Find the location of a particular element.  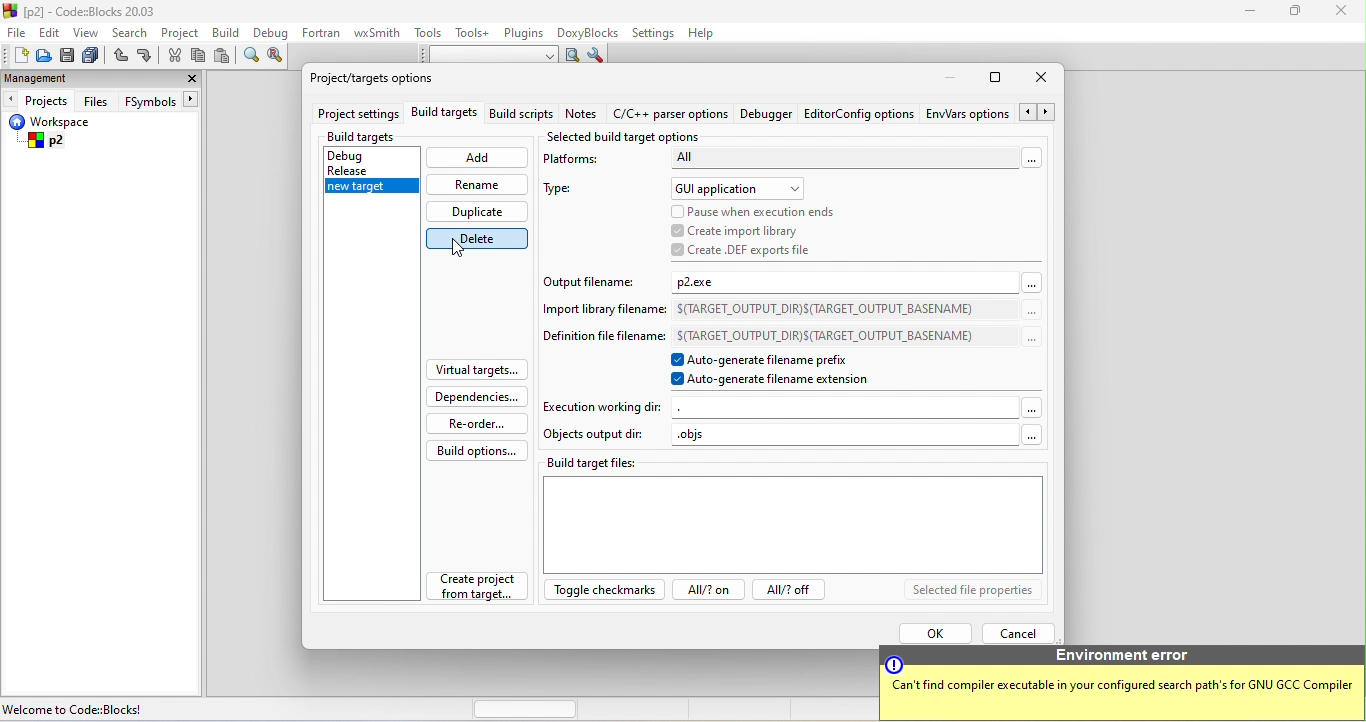

file is located at coordinates (15, 32).